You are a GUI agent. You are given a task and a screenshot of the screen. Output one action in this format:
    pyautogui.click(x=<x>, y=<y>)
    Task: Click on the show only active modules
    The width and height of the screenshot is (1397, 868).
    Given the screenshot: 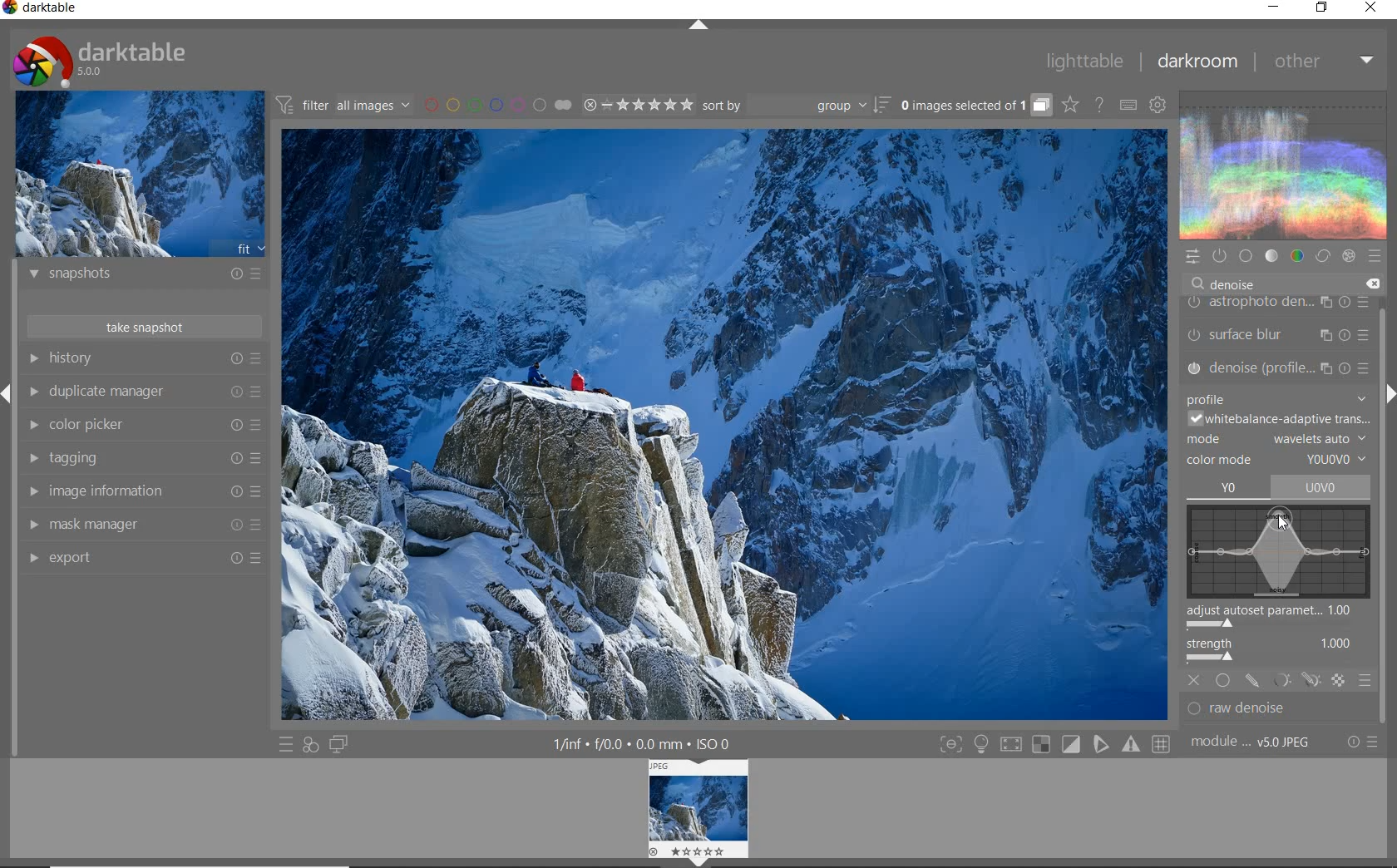 What is the action you would take?
    pyautogui.click(x=1218, y=256)
    